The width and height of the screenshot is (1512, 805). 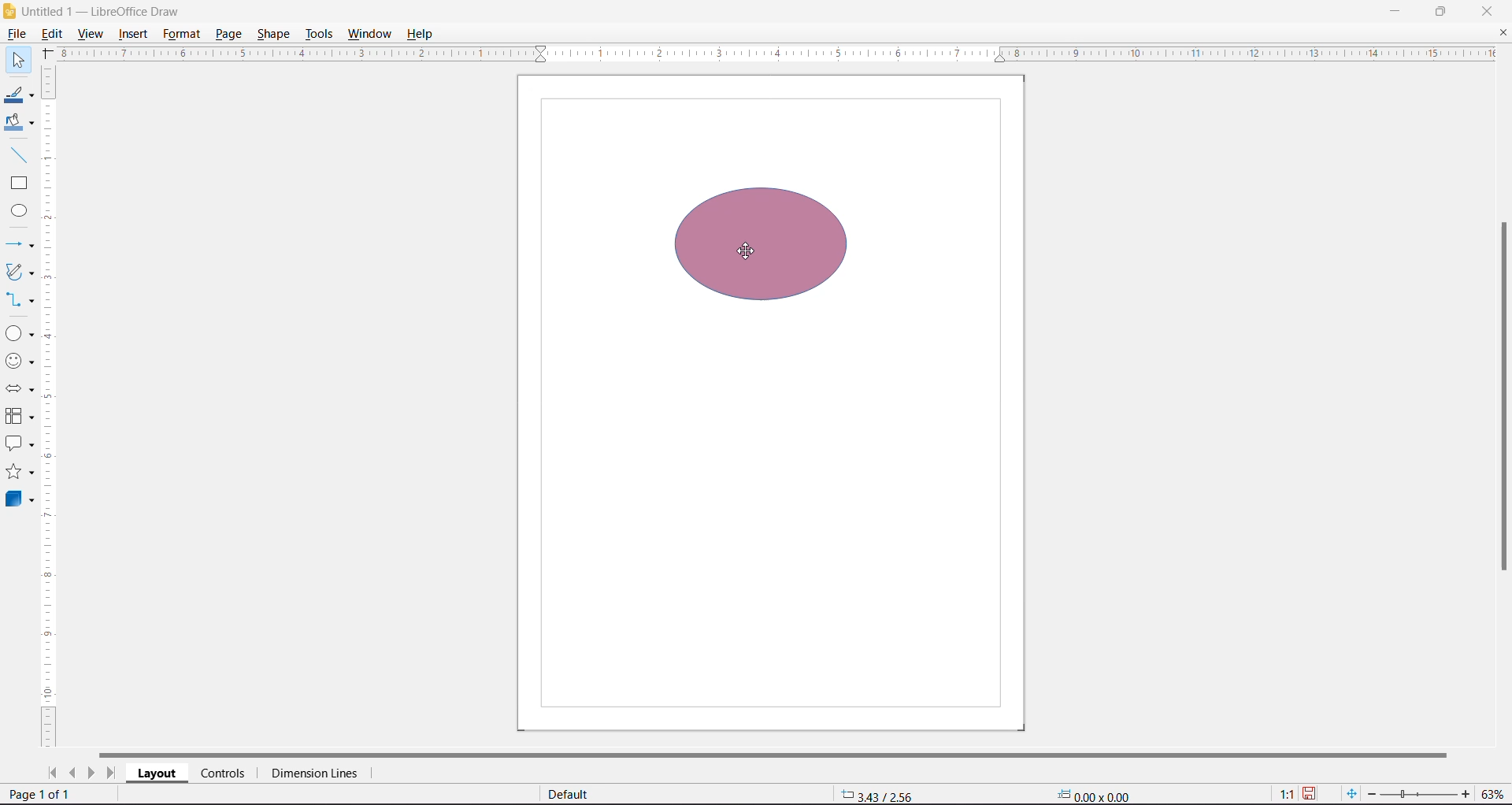 What do you see at coordinates (20, 244) in the screenshot?
I see `Lines and Arrows` at bounding box center [20, 244].